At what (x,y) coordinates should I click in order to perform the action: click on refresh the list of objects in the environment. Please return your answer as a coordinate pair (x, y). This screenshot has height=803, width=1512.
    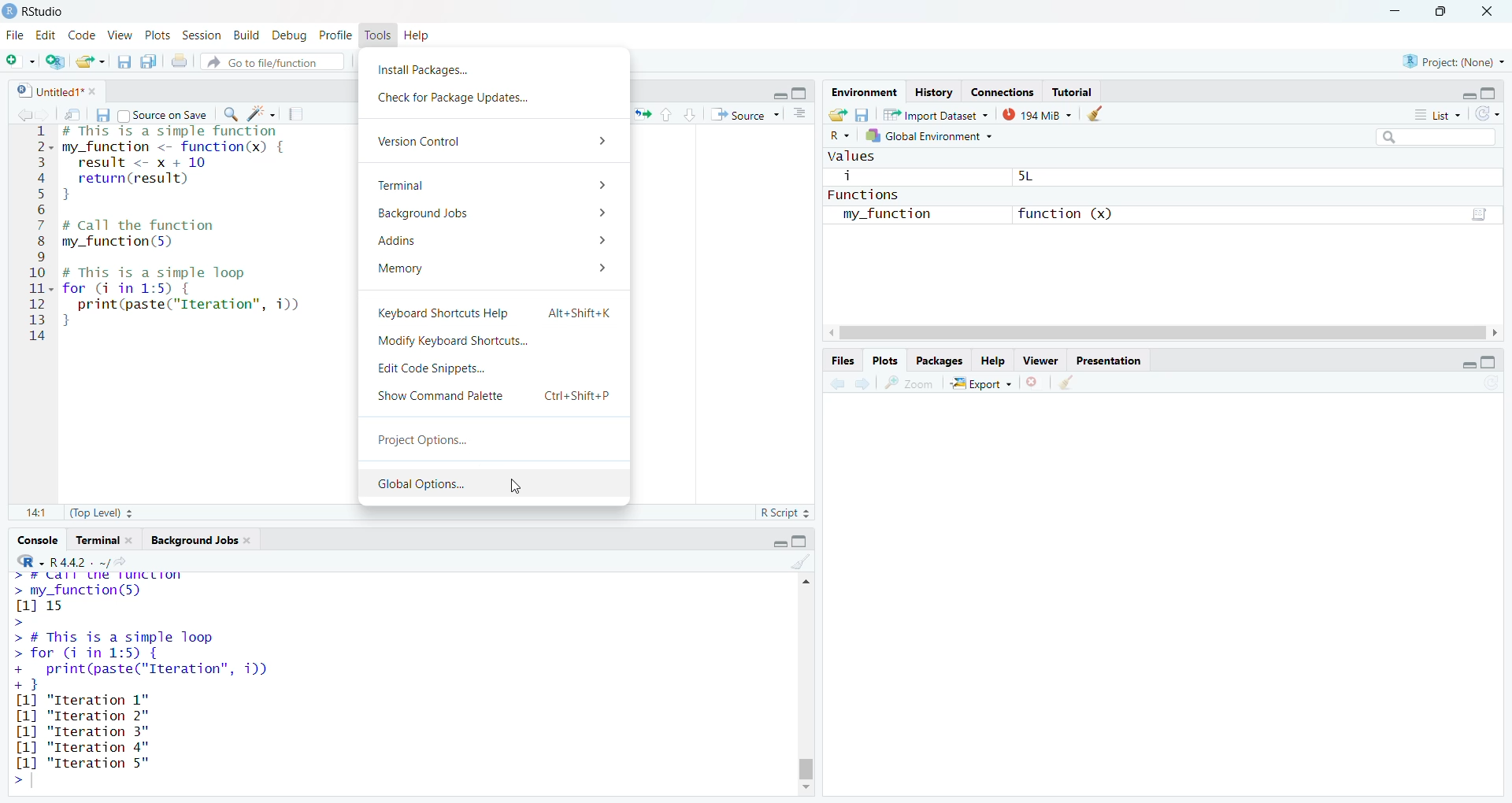
    Looking at the image, I should click on (1495, 116).